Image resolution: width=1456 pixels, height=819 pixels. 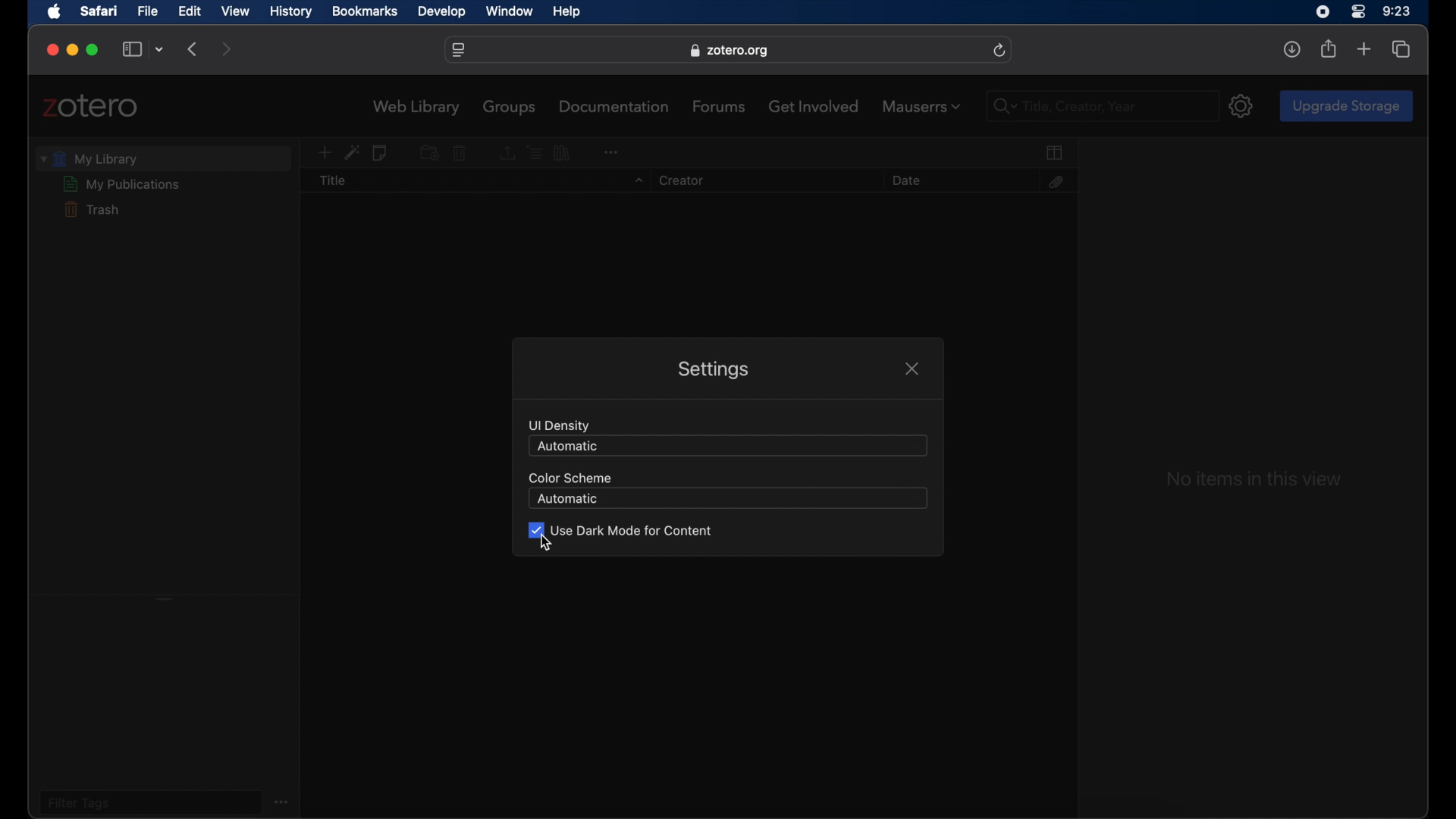 I want to click on drag handle, so click(x=165, y=598).